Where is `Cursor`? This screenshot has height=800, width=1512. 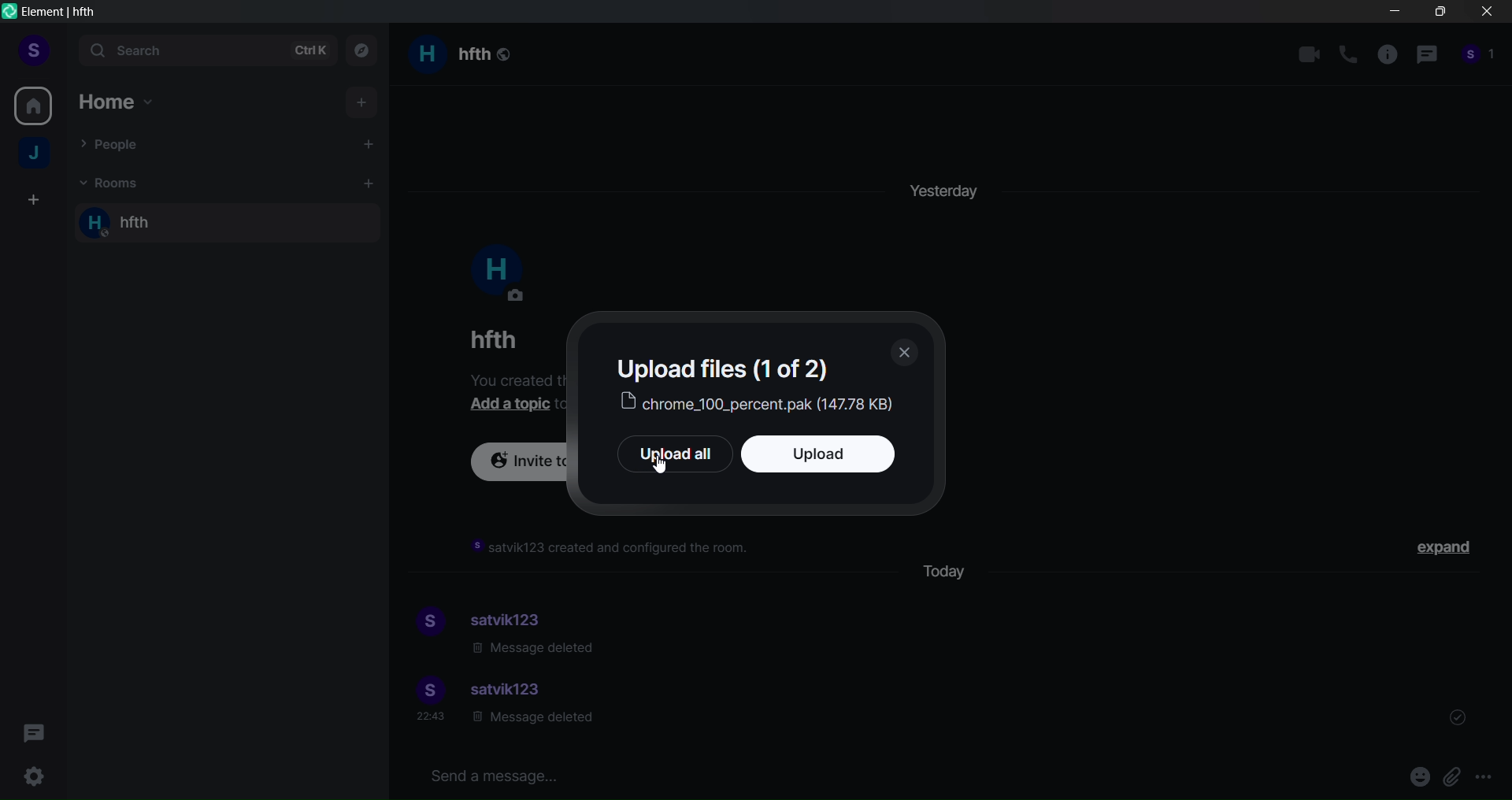 Cursor is located at coordinates (665, 475).